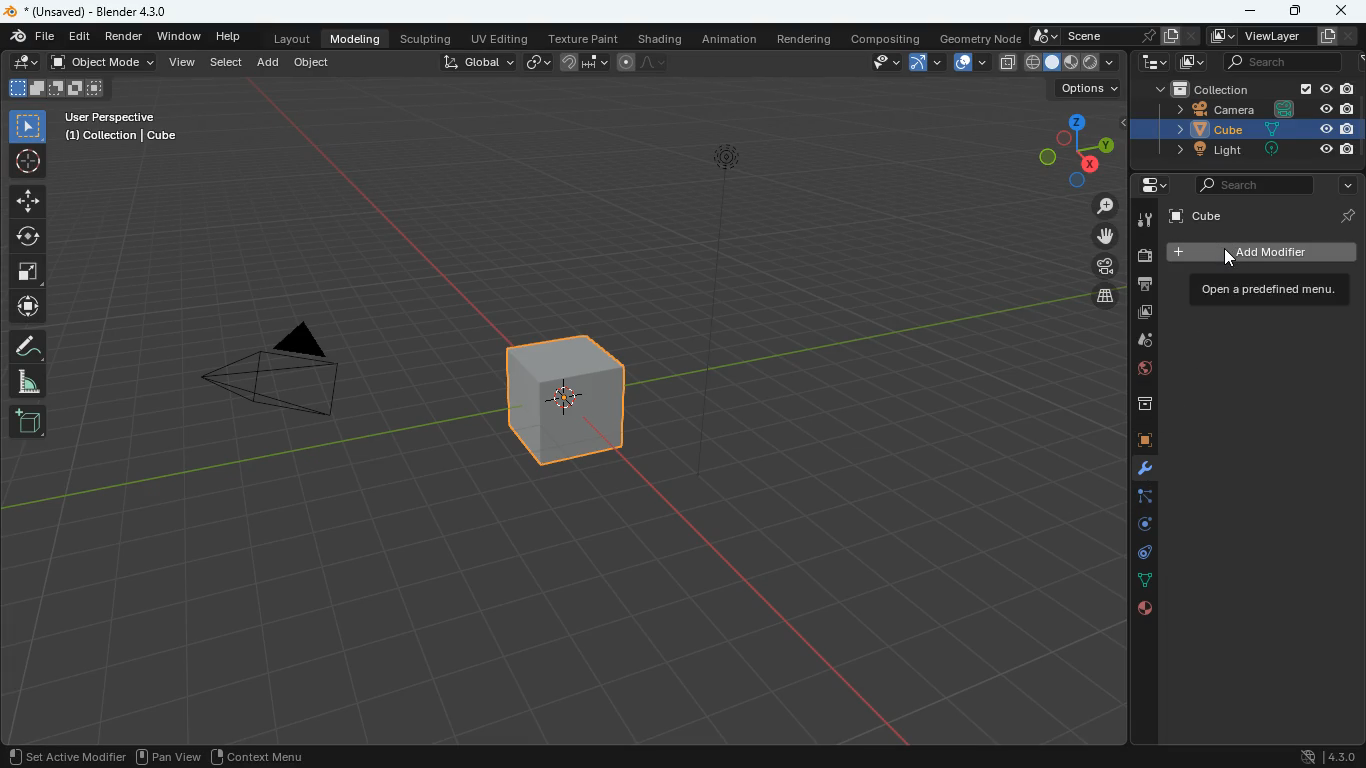 The width and height of the screenshot is (1366, 768). I want to click on edge, so click(1135, 500).